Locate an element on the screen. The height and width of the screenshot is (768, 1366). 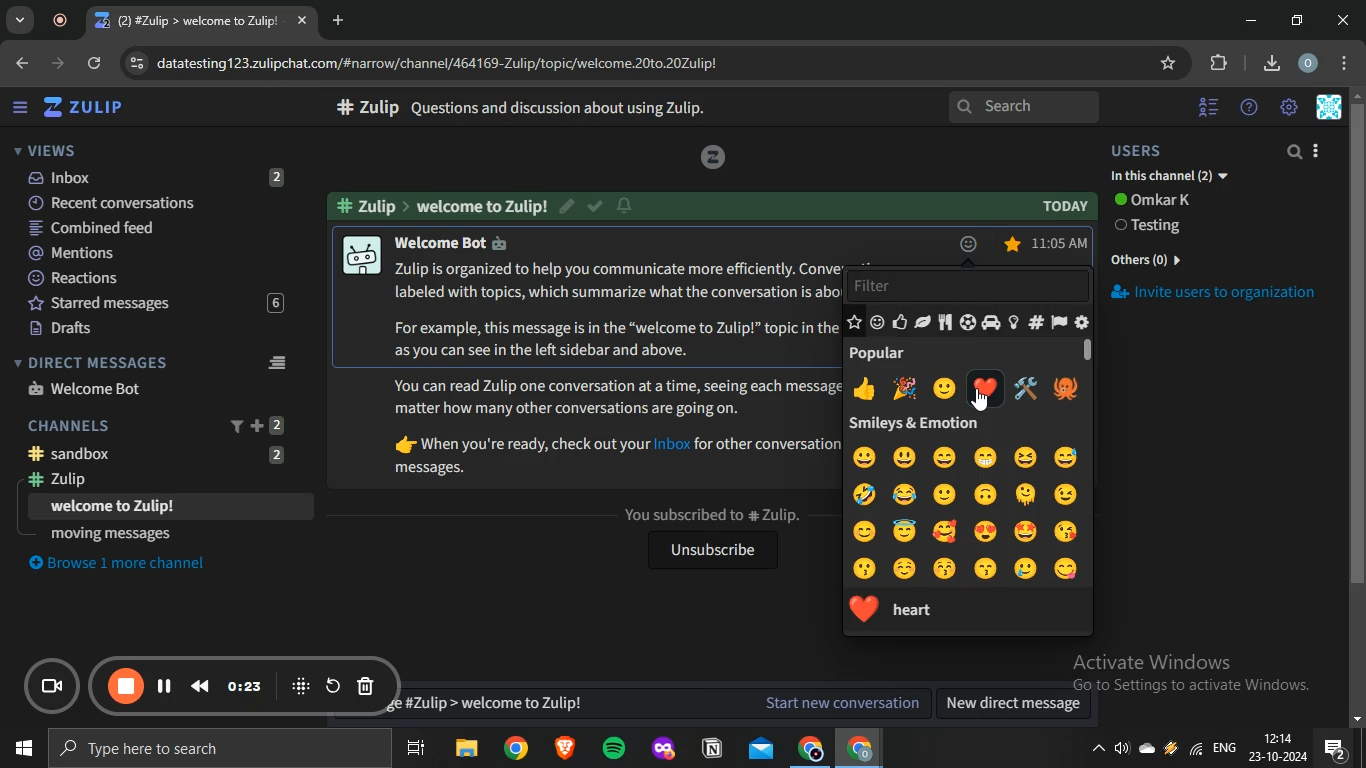
go back to  previous page is located at coordinates (20, 61).